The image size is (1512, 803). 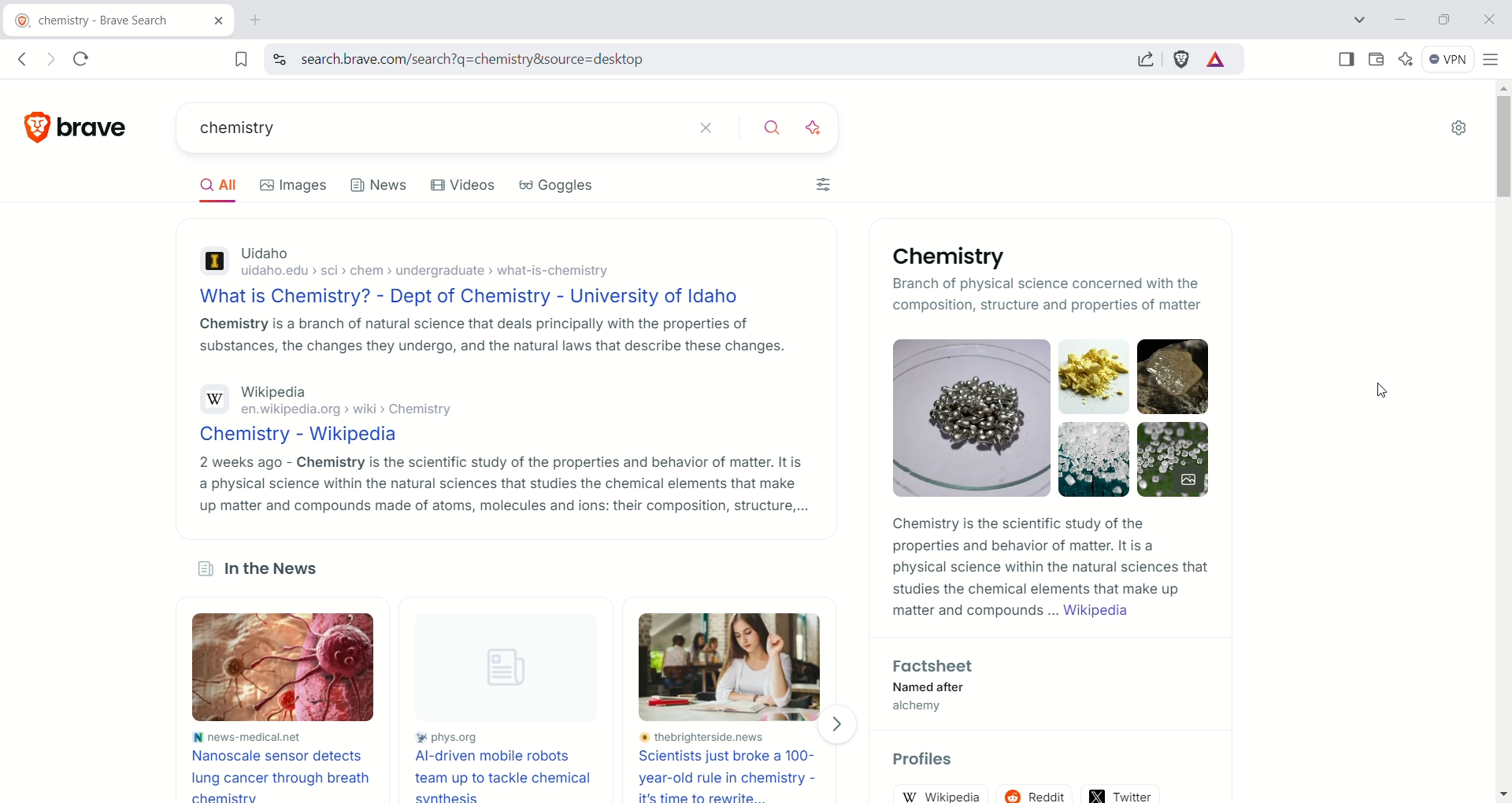 I want to click on close, so click(x=1488, y=18).